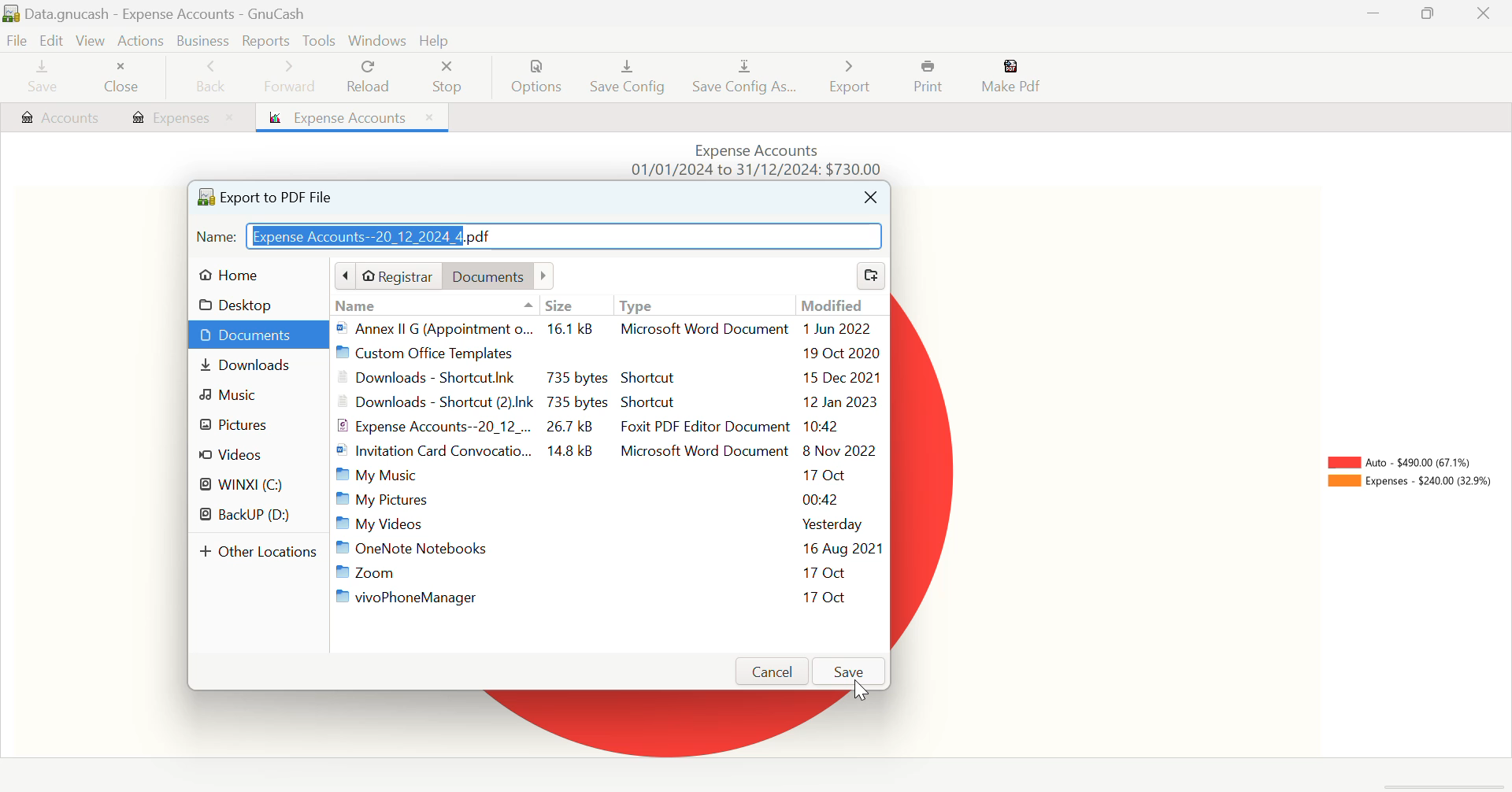  What do you see at coordinates (1010, 78) in the screenshot?
I see `Make Pdf` at bounding box center [1010, 78].